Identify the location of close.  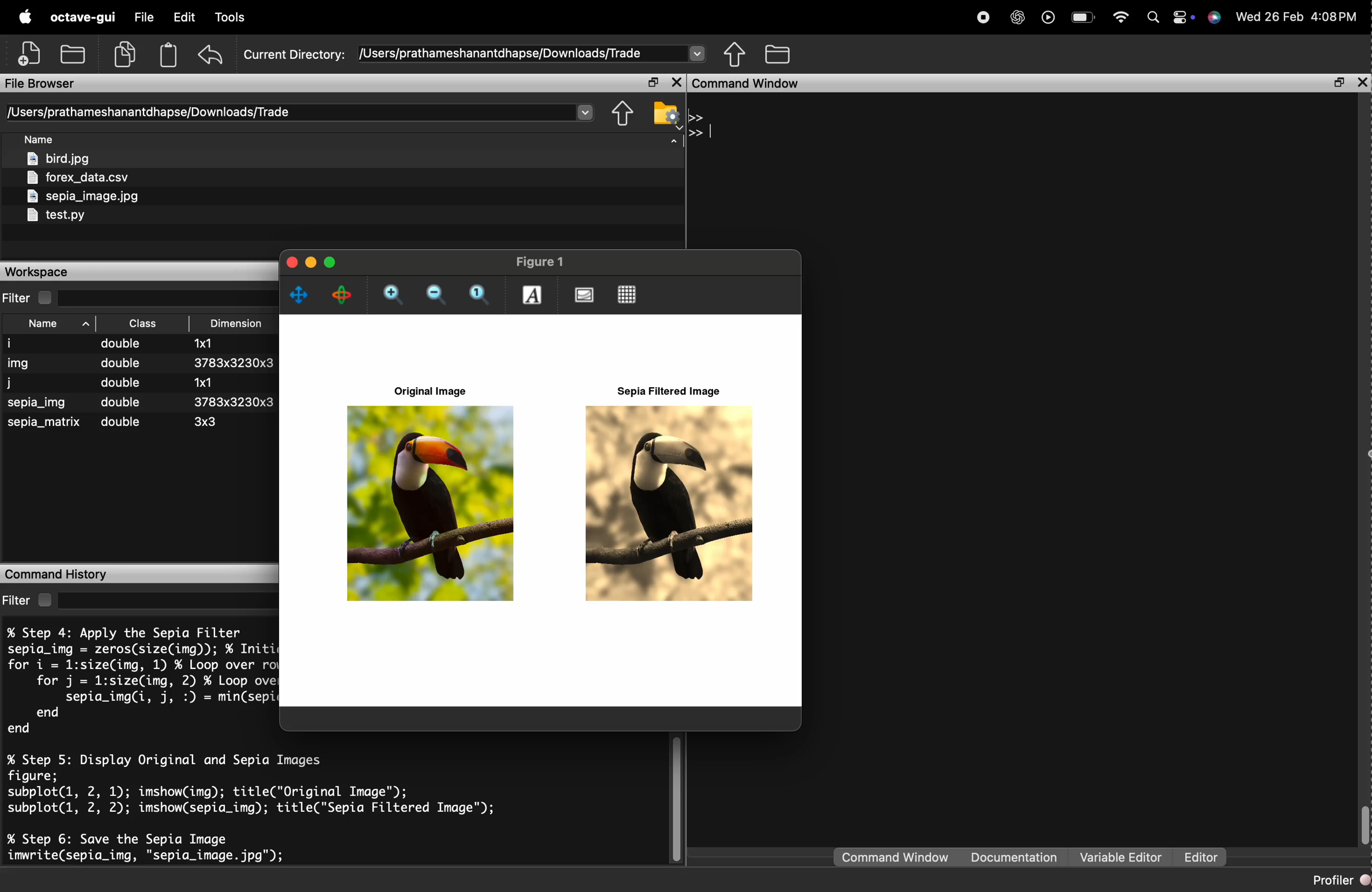
(678, 82).